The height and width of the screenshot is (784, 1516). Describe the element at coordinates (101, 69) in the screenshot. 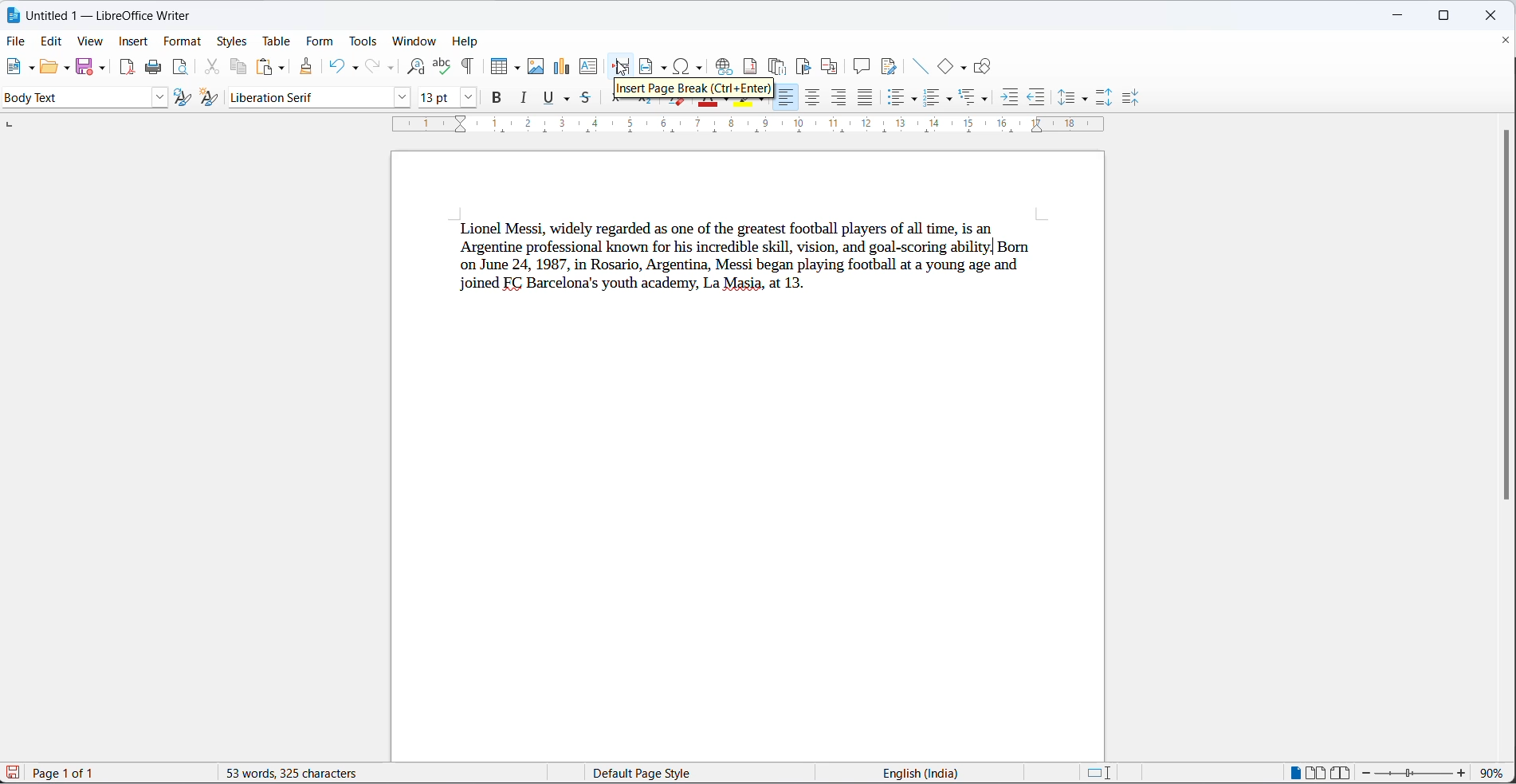

I see `save options` at that location.